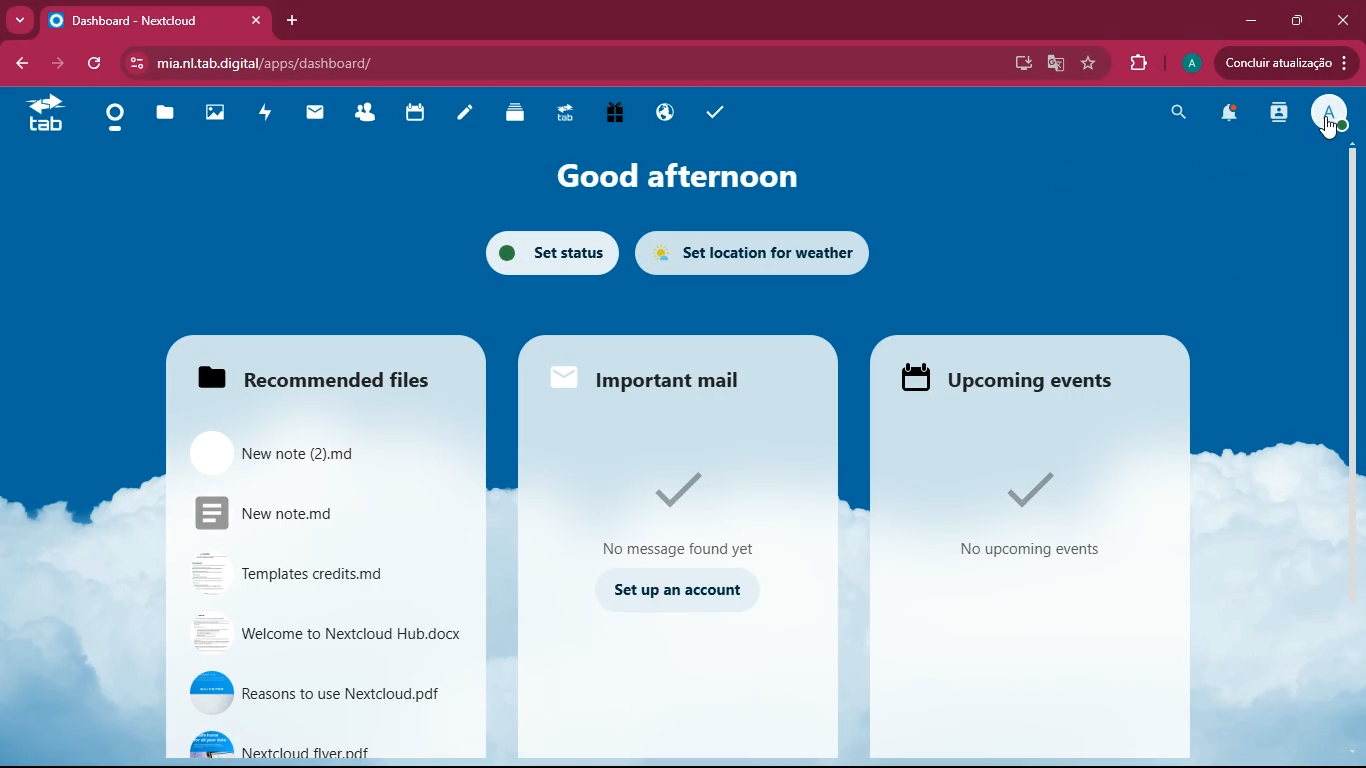 The image size is (1366, 768). I want to click on profile, so click(1192, 63).